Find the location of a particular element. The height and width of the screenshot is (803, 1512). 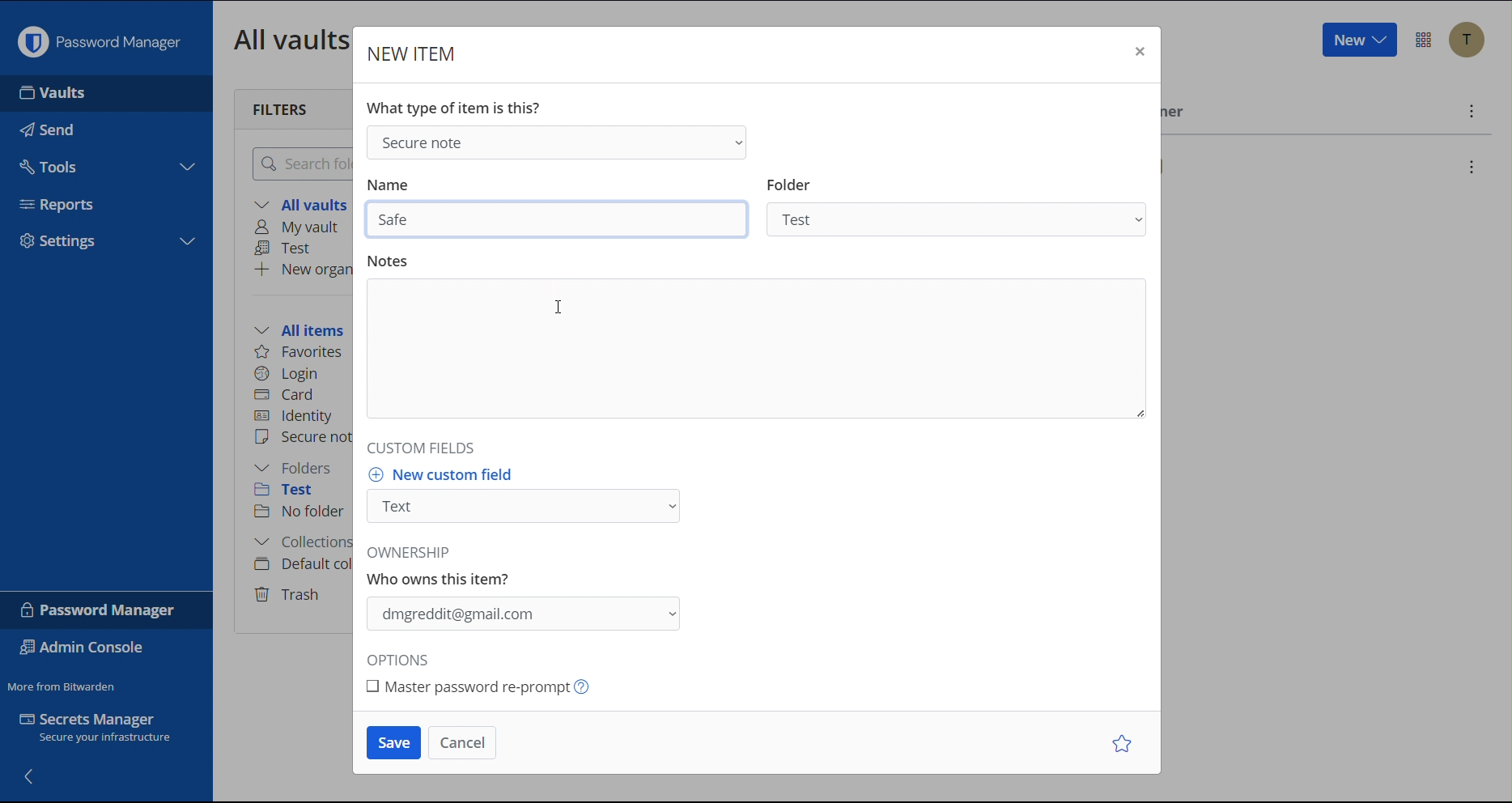

Back is located at coordinates (31, 775).